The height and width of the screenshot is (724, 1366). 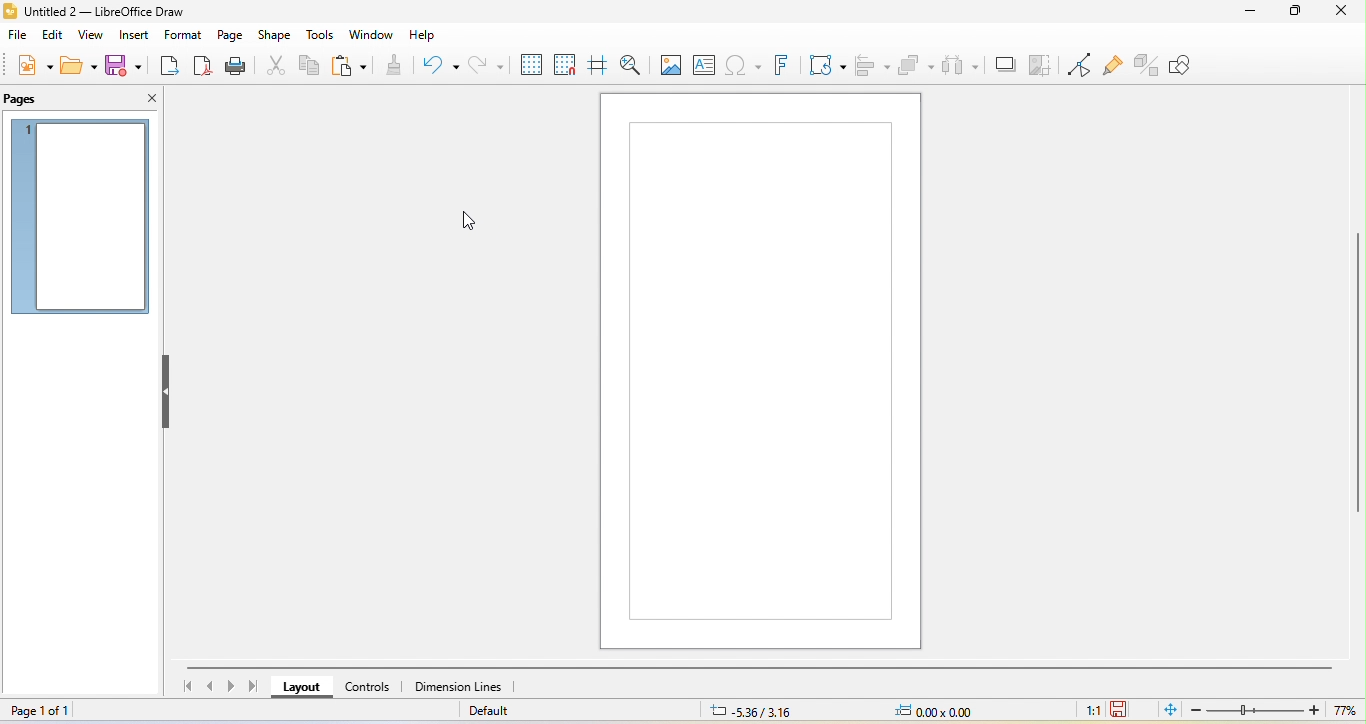 What do you see at coordinates (531, 64) in the screenshot?
I see `display to grid` at bounding box center [531, 64].